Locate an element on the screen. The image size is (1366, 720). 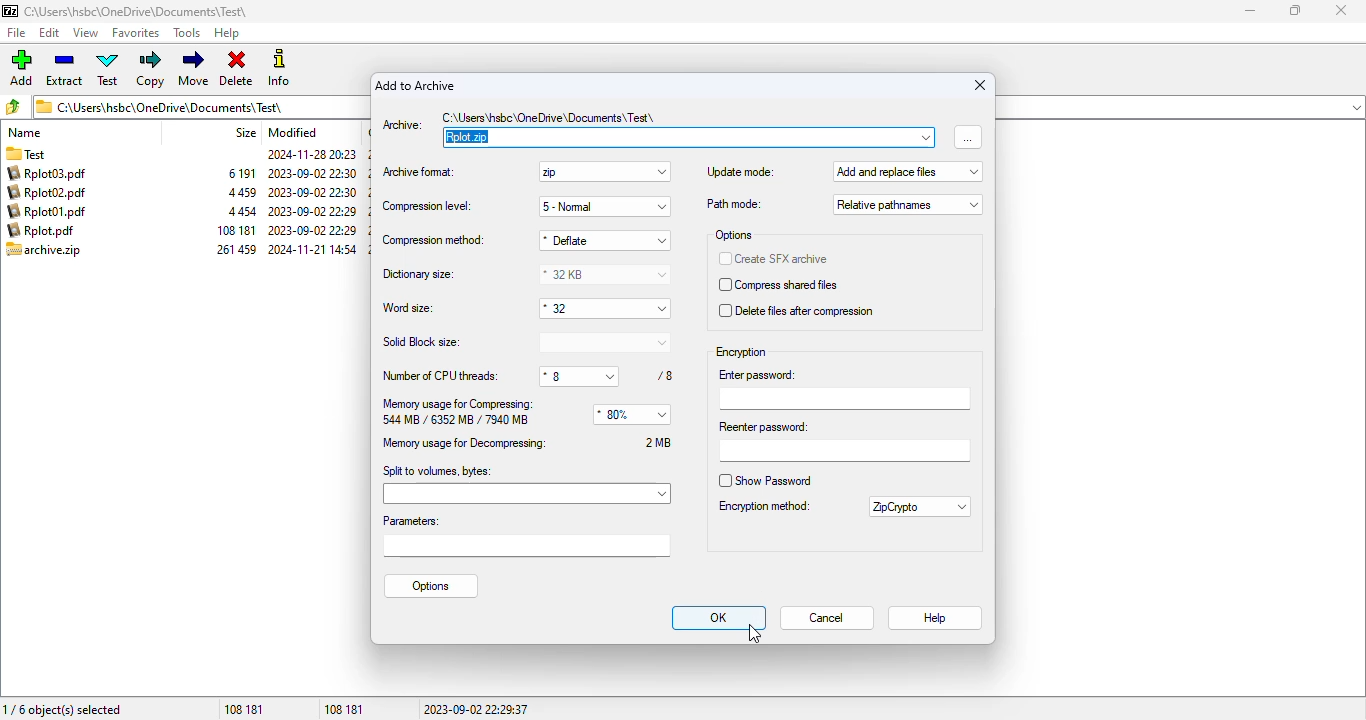
browse  is located at coordinates (968, 136).